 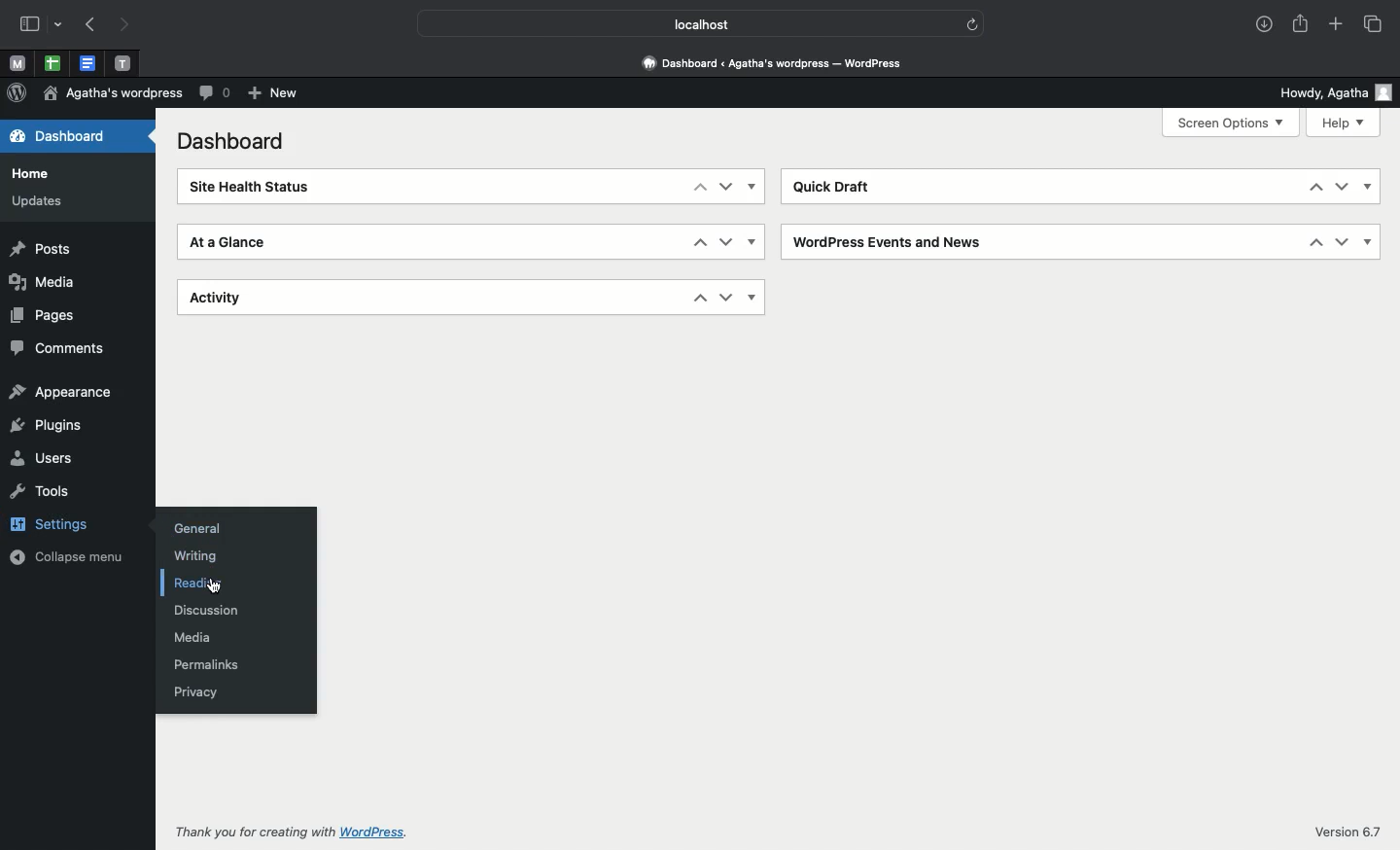 What do you see at coordinates (195, 691) in the screenshot?
I see `Privacy` at bounding box center [195, 691].